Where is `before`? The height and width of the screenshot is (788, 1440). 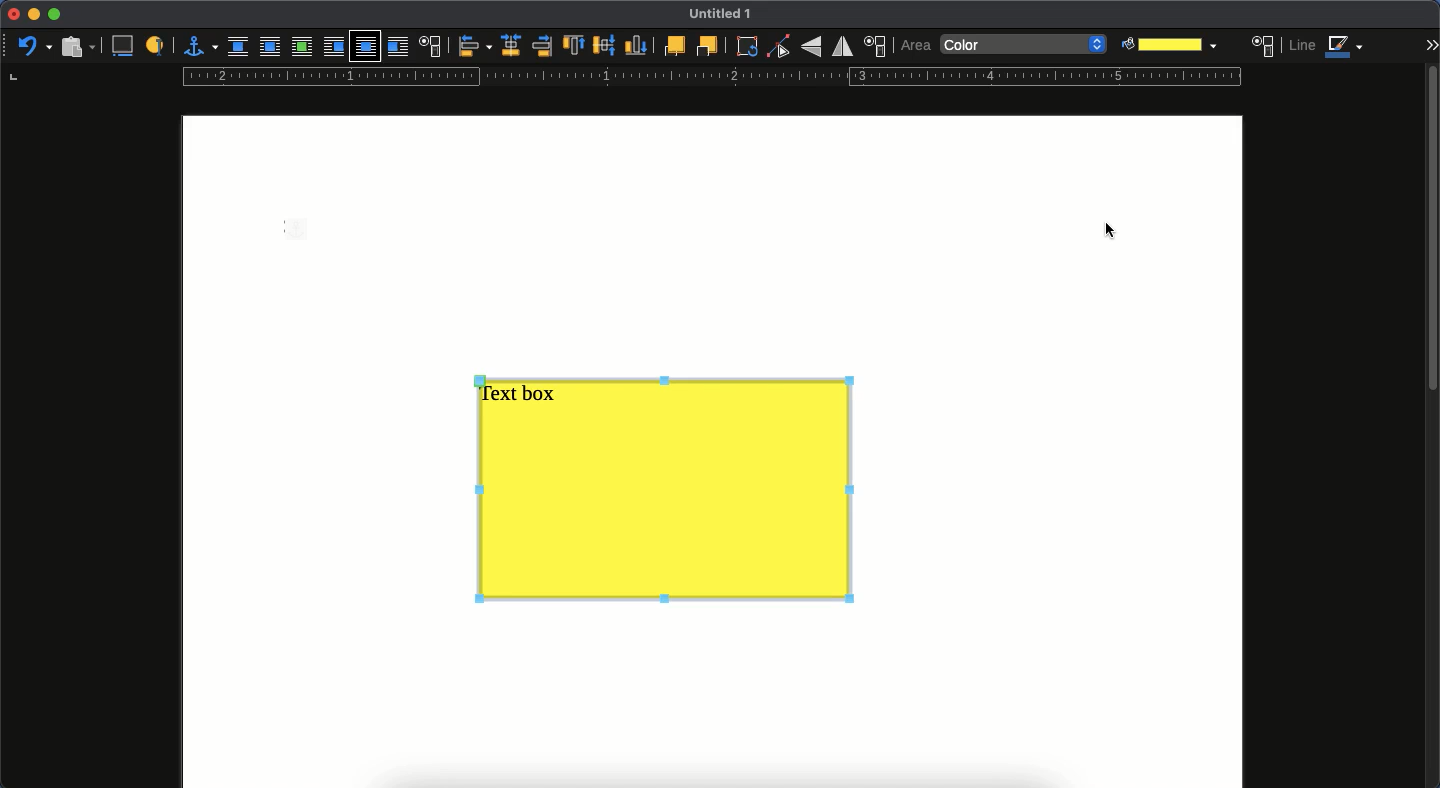 before is located at coordinates (332, 48).